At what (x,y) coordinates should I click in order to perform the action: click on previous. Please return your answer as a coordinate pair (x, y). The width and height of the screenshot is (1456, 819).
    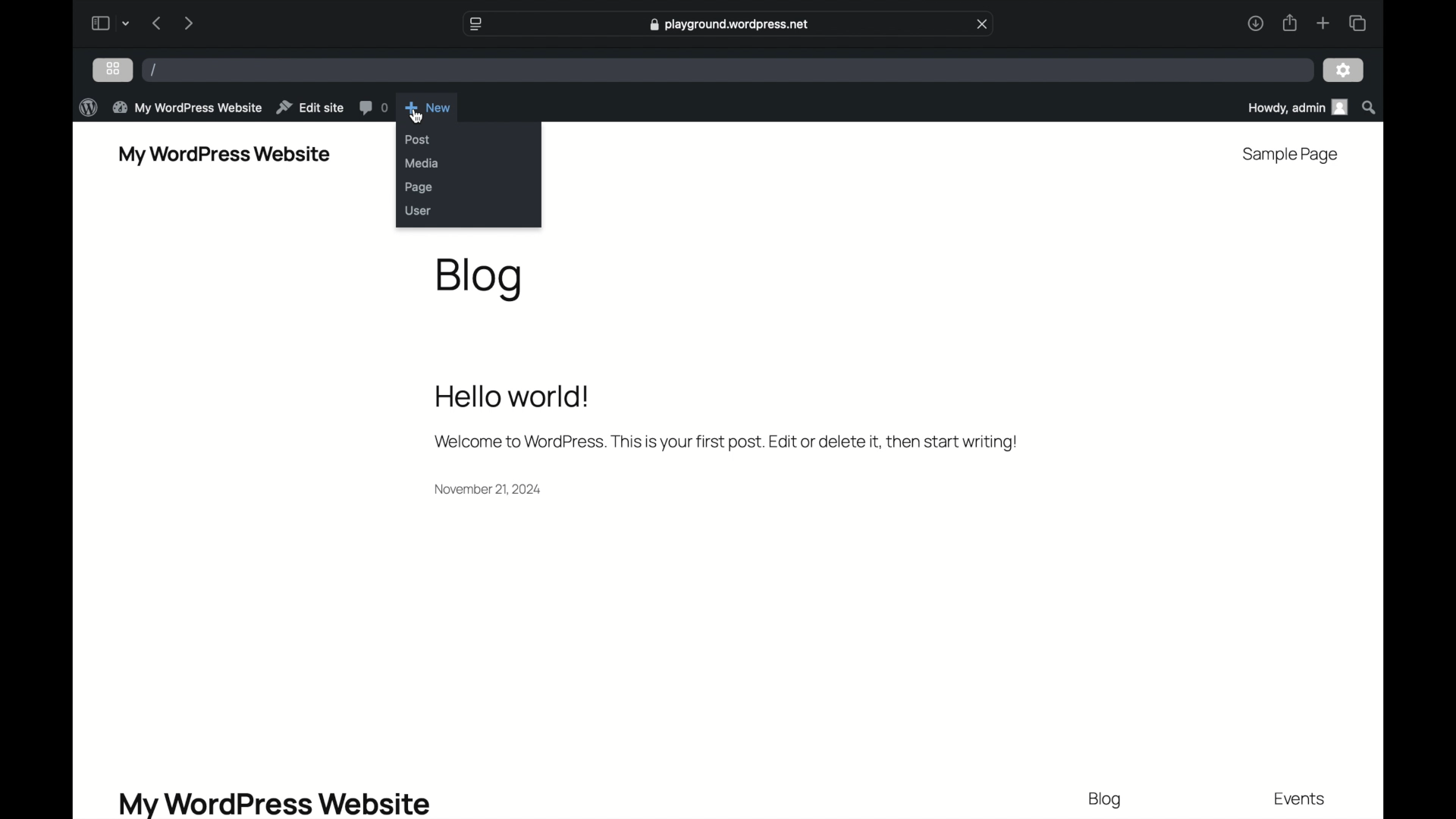
    Looking at the image, I should click on (155, 23).